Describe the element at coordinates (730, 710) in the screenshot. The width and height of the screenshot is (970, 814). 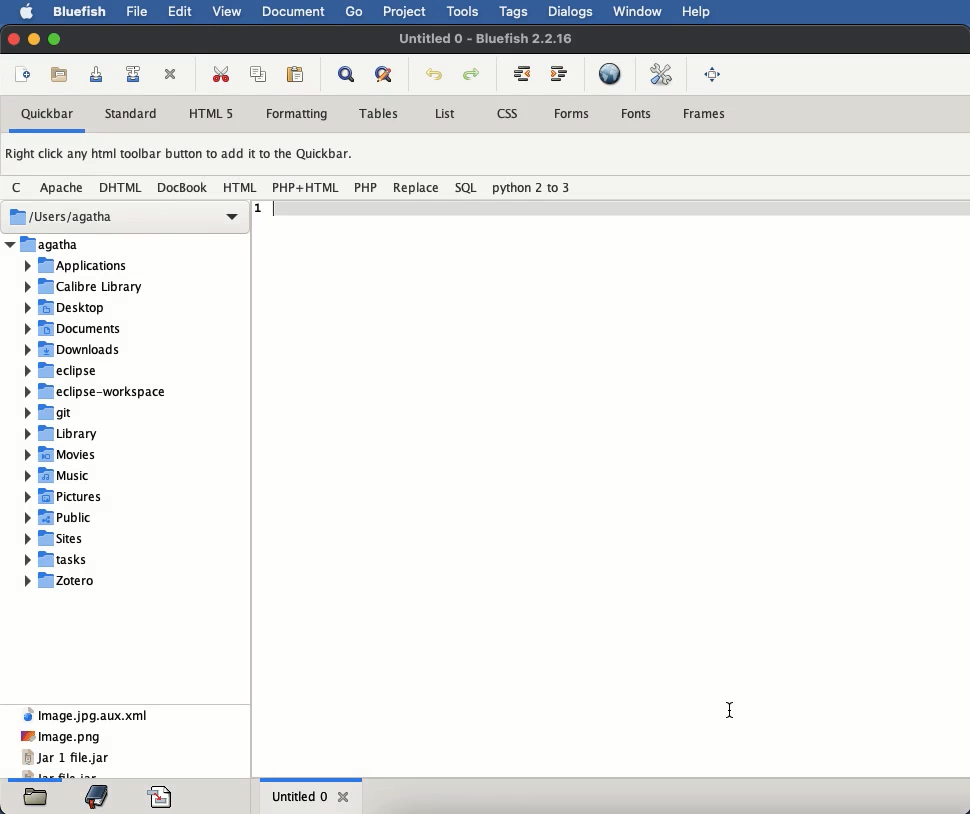
I see `Cursor` at that location.